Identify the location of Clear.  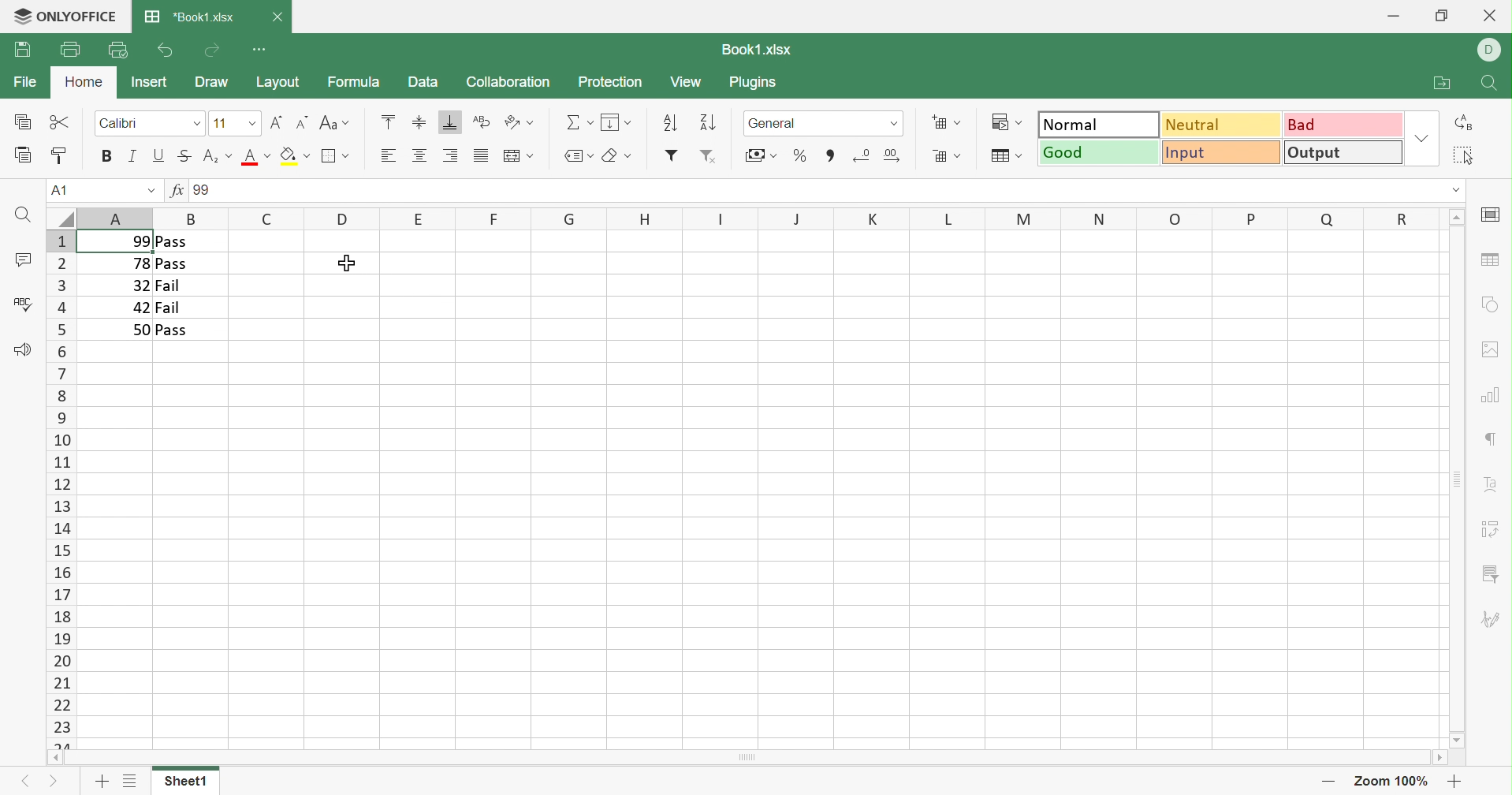
(618, 156).